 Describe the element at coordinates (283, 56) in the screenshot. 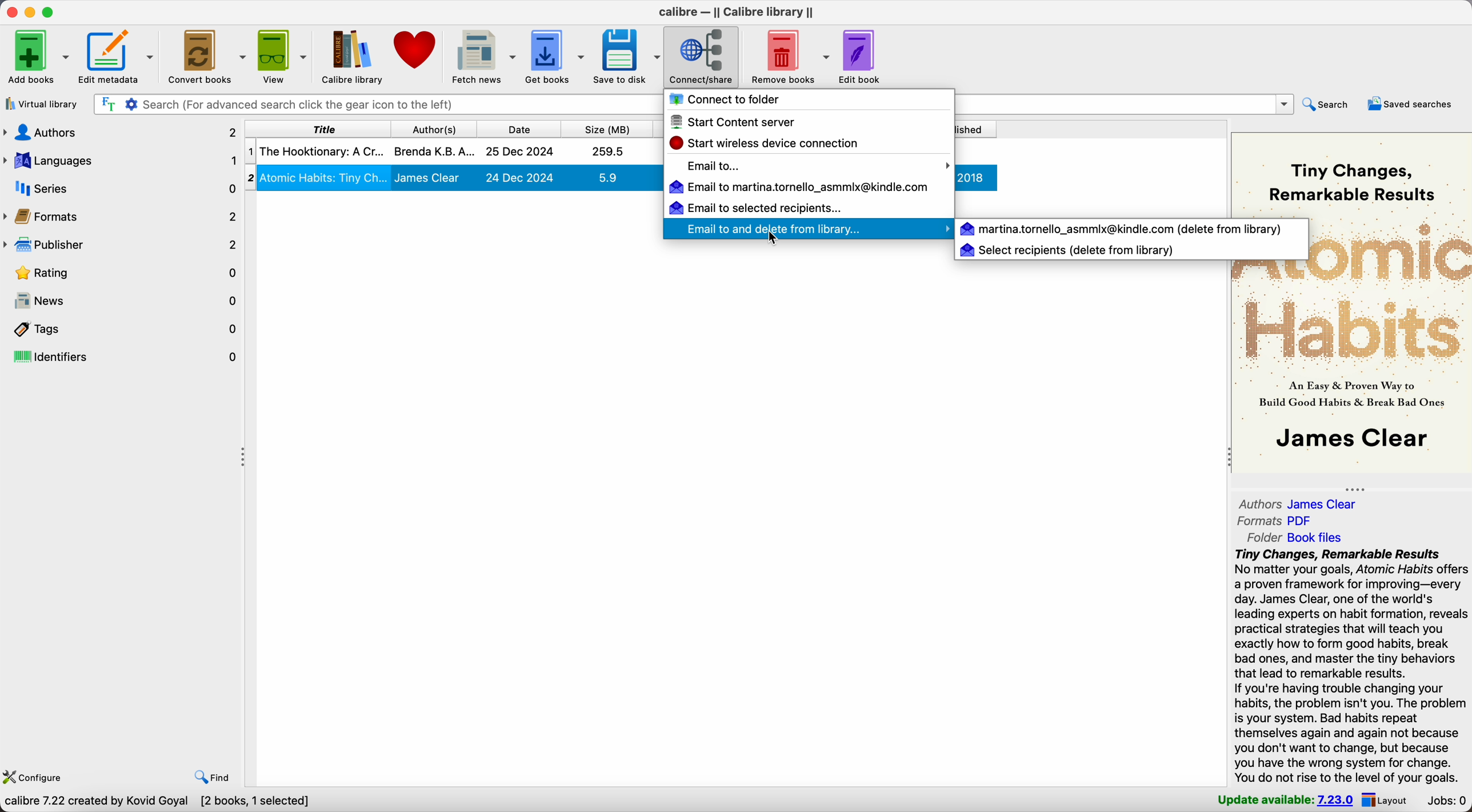

I see `view` at that location.